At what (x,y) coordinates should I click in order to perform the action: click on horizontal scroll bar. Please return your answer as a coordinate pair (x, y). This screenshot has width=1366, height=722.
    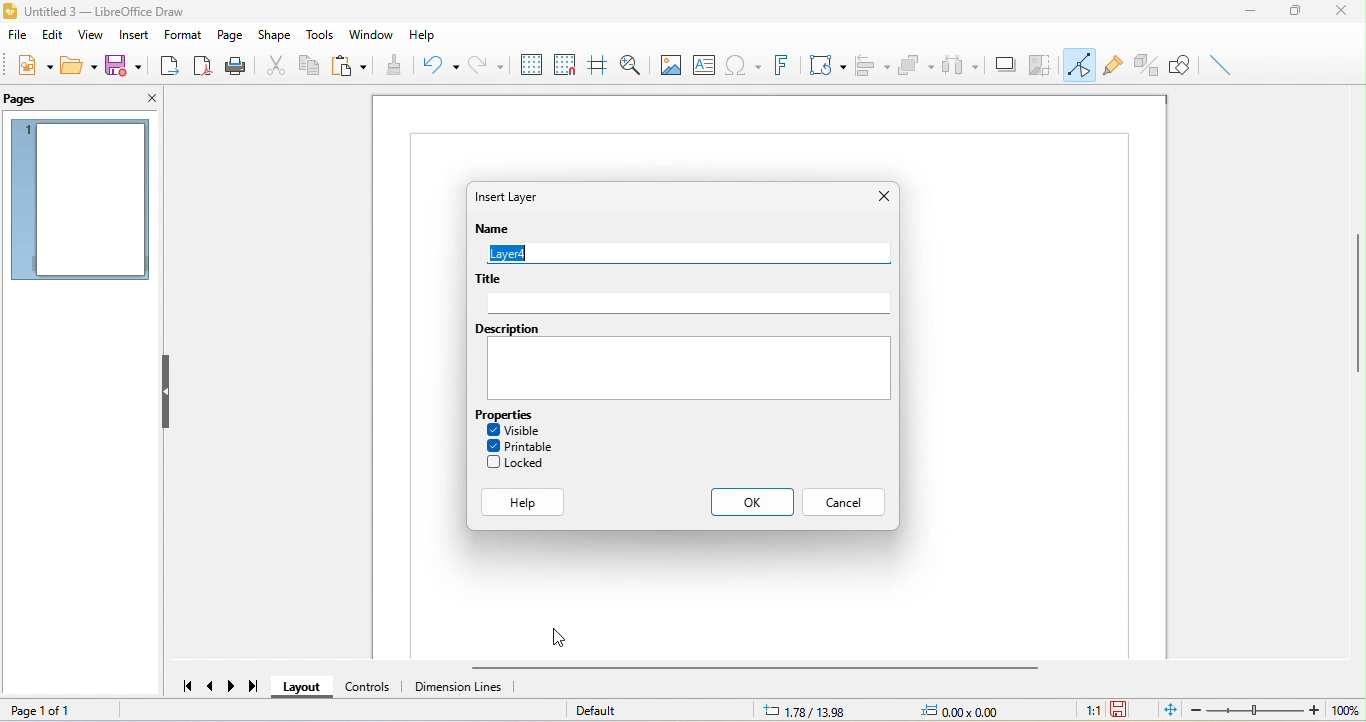
    Looking at the image, I should click on (765, 667).